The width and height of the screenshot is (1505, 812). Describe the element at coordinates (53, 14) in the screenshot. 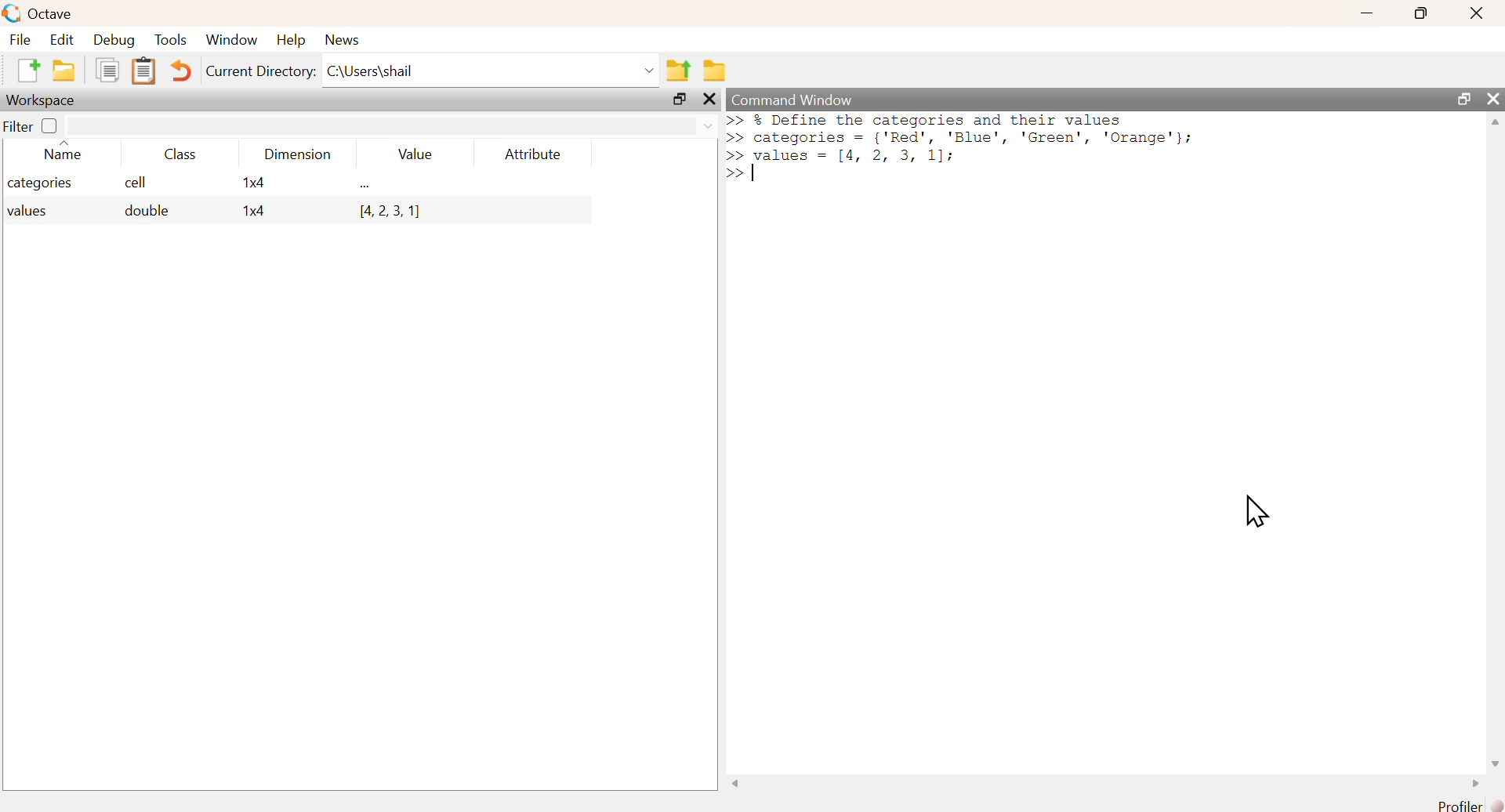

I see `Octave` at that location.